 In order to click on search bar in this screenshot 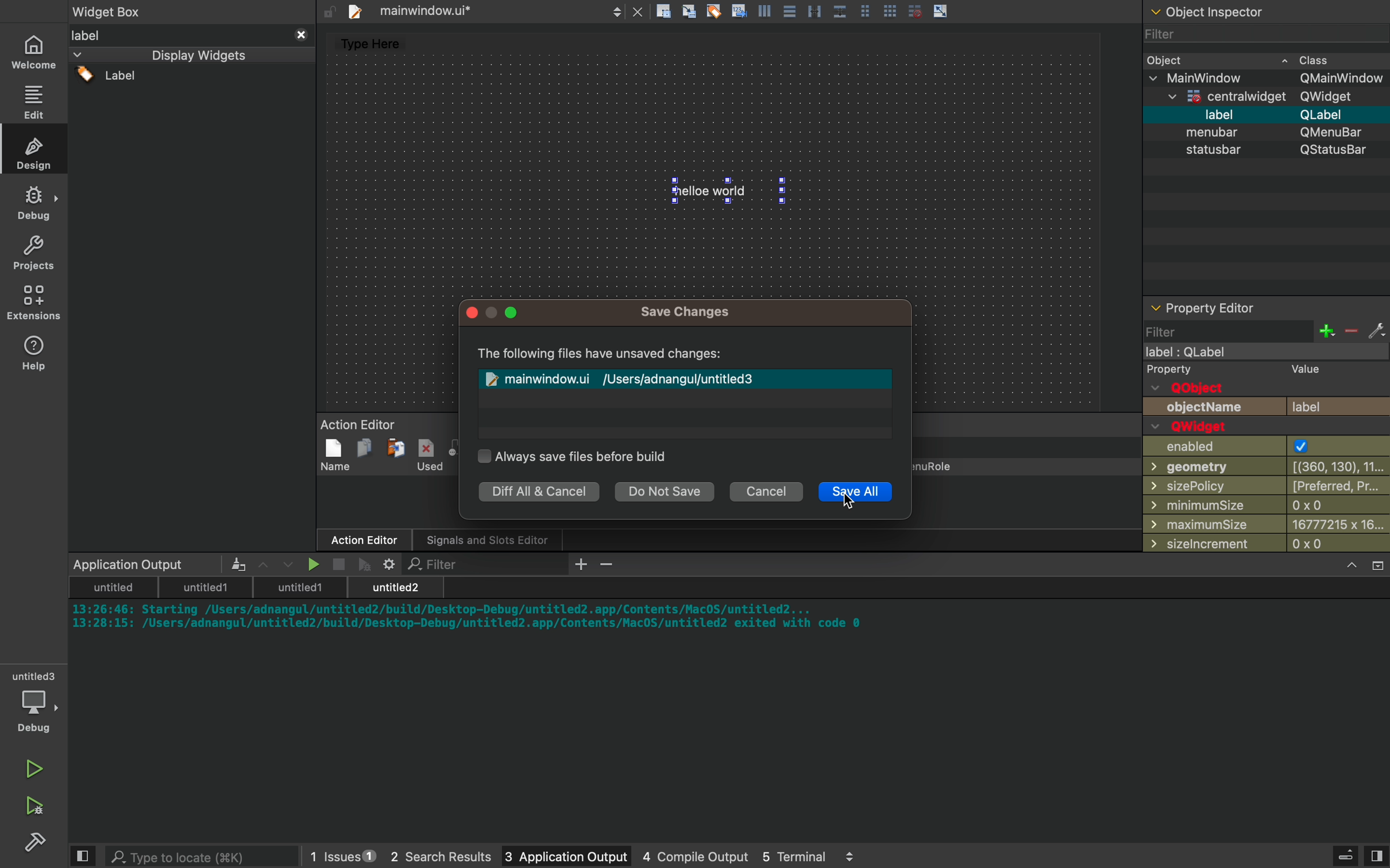, I will do `click(188, 856)`.